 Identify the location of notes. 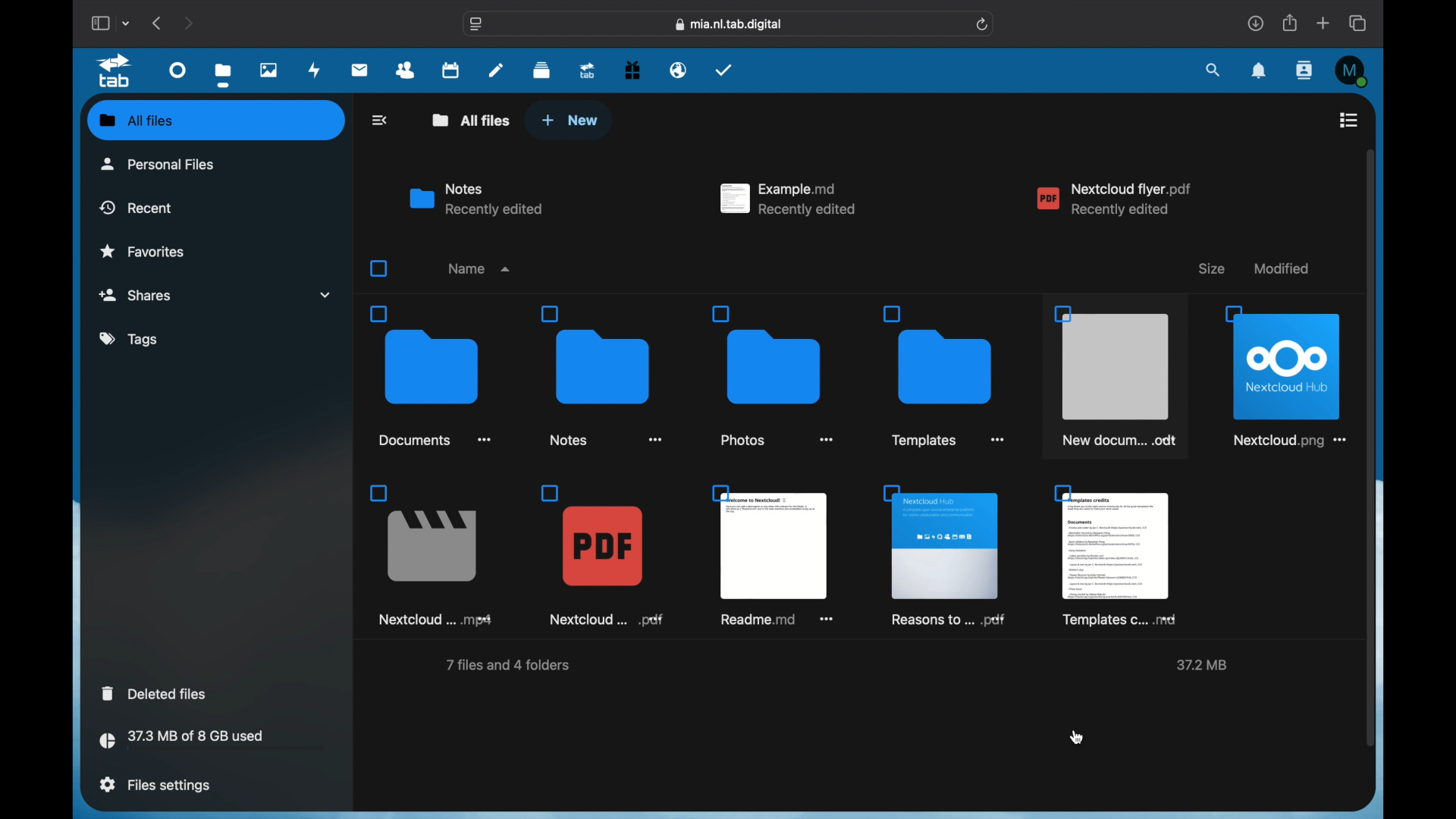
(476, 199).